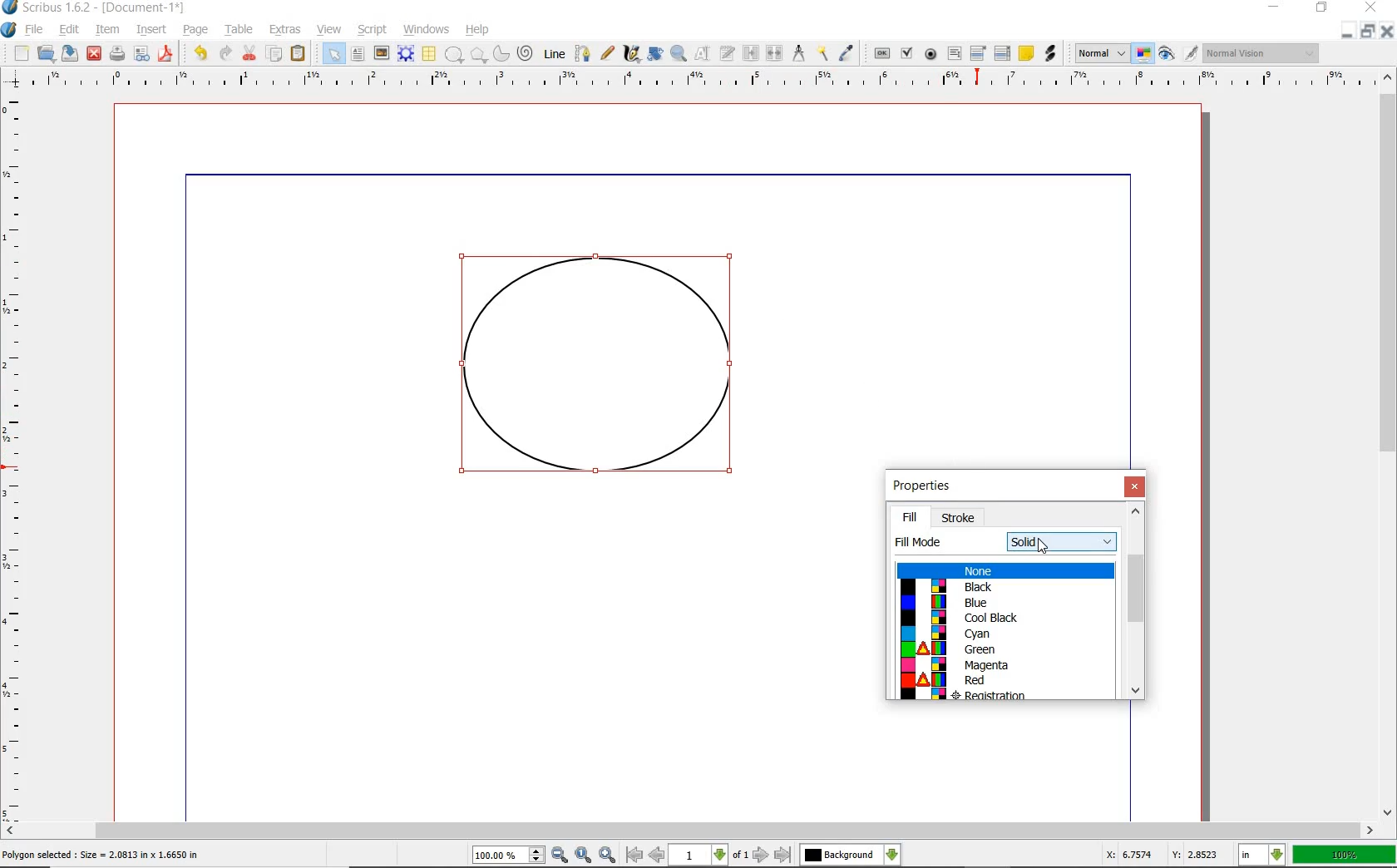 Image resolution: width=1397 pixels, height=868 pixels. I want to click on SCROLLBAR, so click(1389, 442).